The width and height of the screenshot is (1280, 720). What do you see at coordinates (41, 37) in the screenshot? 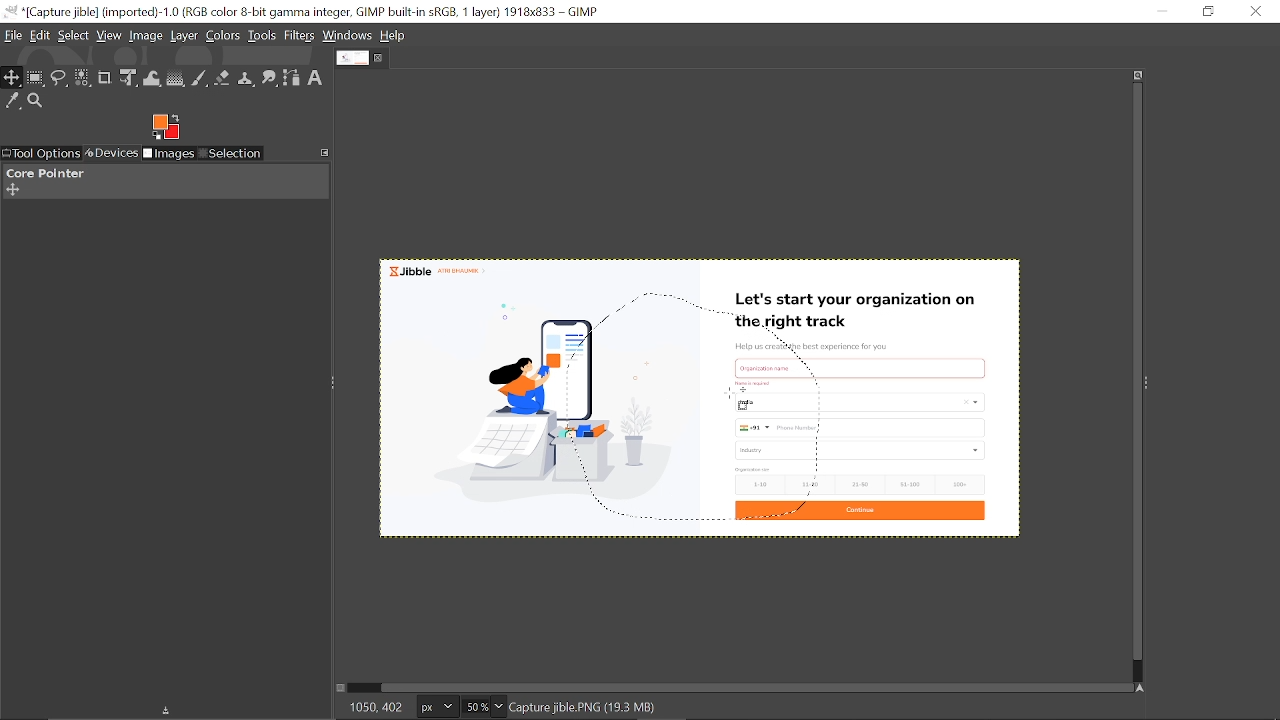
I see `Edit` at bounding box center [41, 37].